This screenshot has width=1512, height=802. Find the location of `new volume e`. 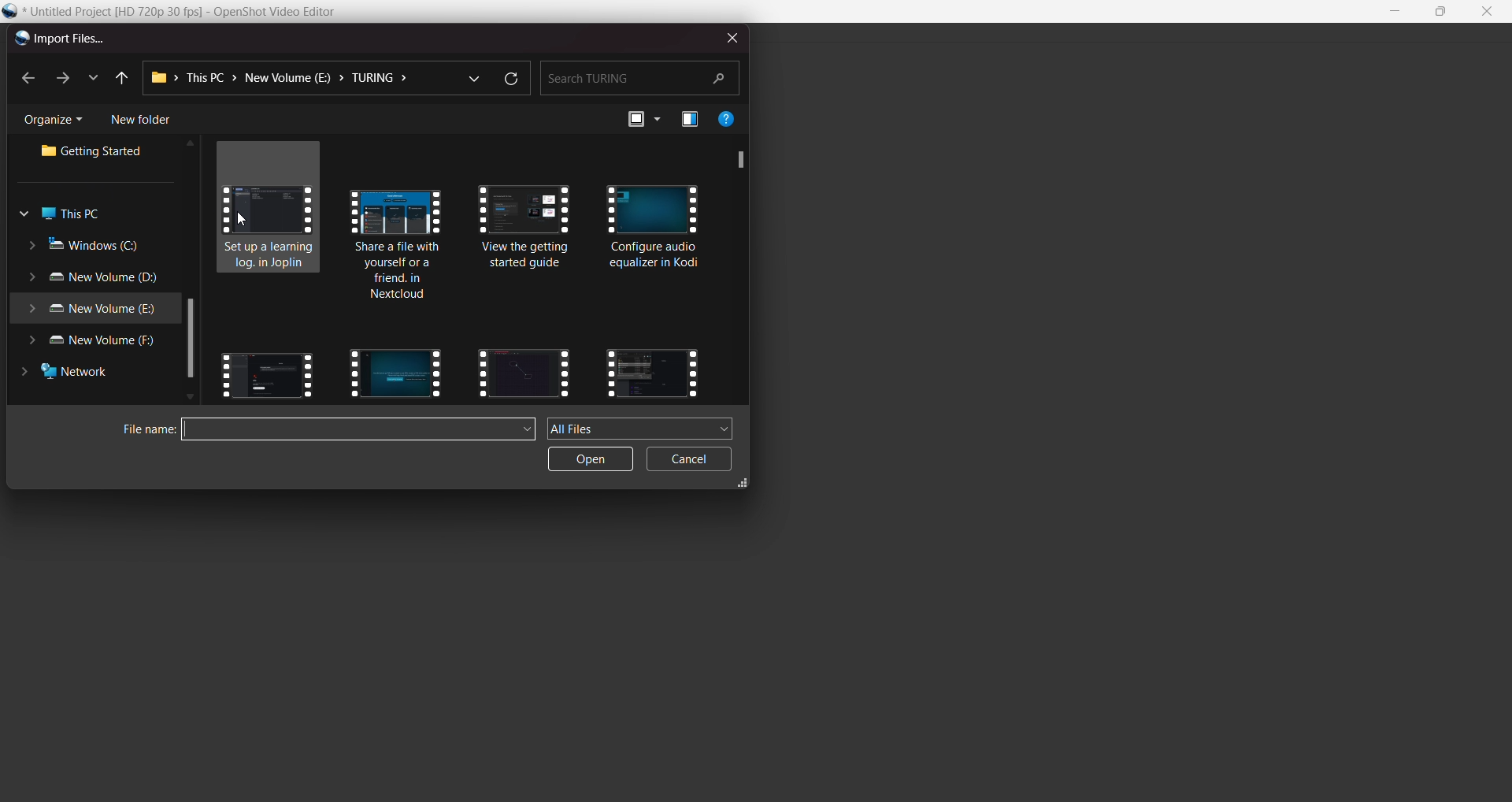

new volume e is located at coordinates (91, 310).